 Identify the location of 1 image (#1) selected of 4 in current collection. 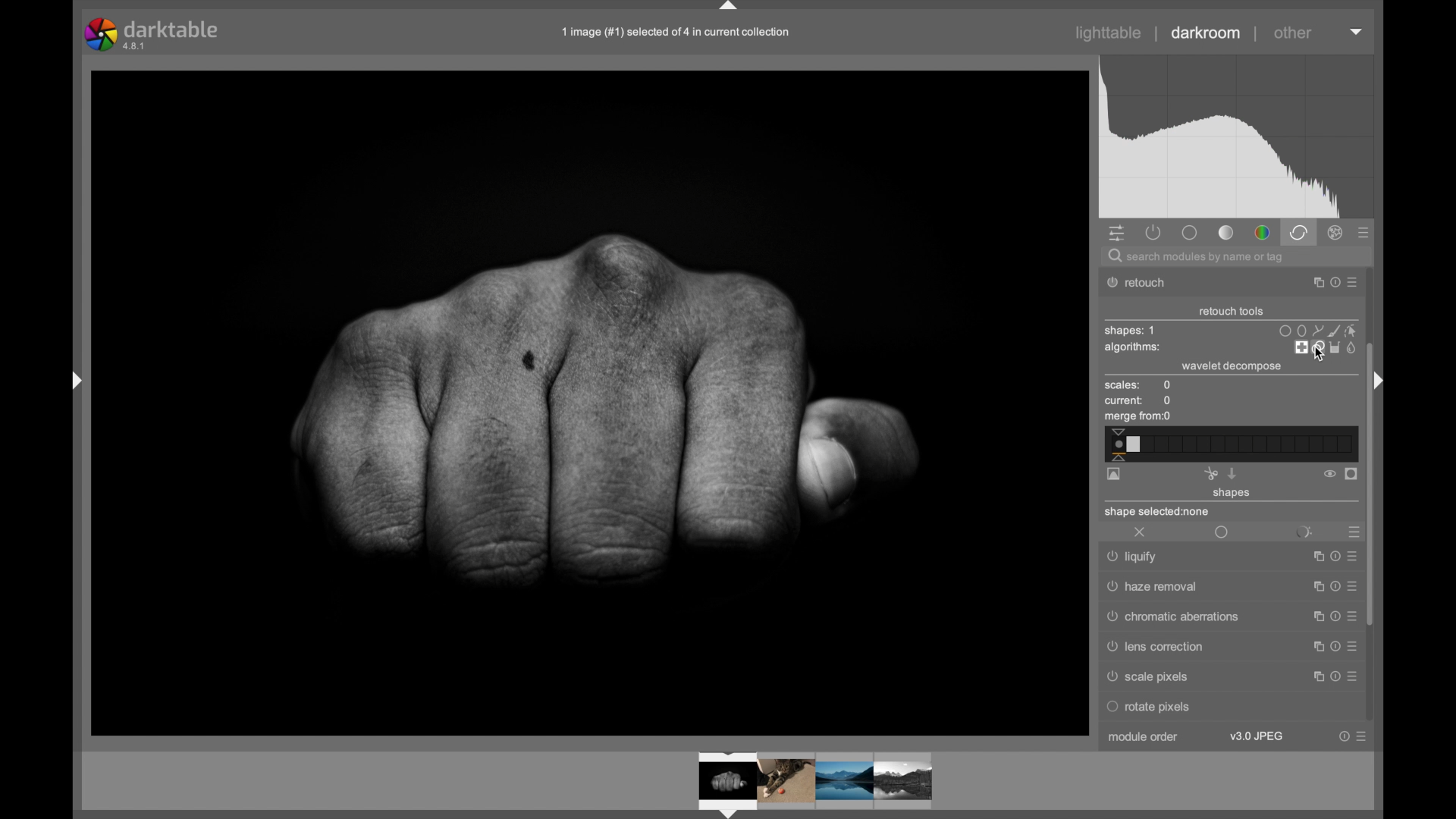
(675, 31).